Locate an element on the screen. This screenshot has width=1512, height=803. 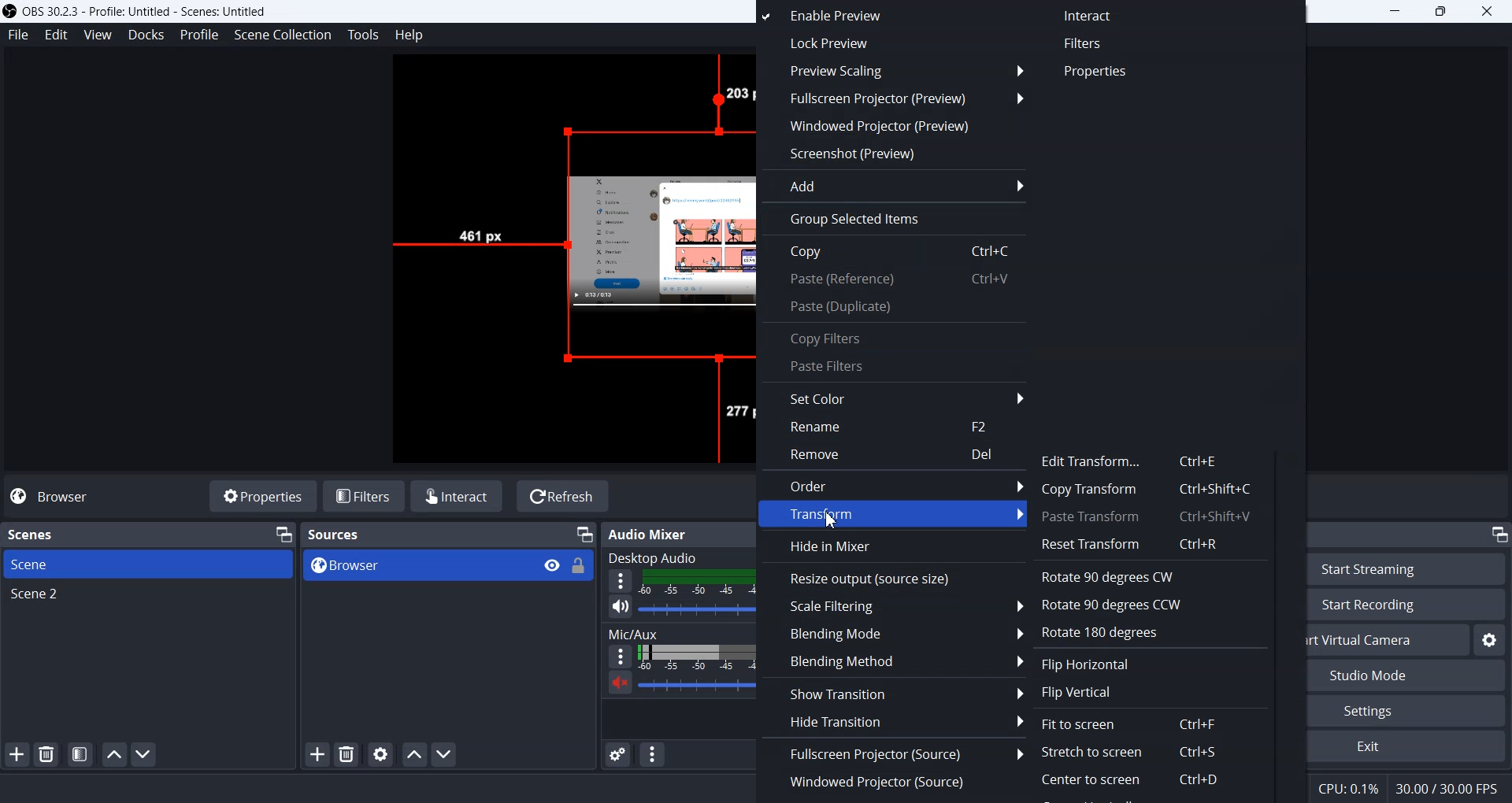
30.00/30.00 FPS is located at coordinates (1451, 787).